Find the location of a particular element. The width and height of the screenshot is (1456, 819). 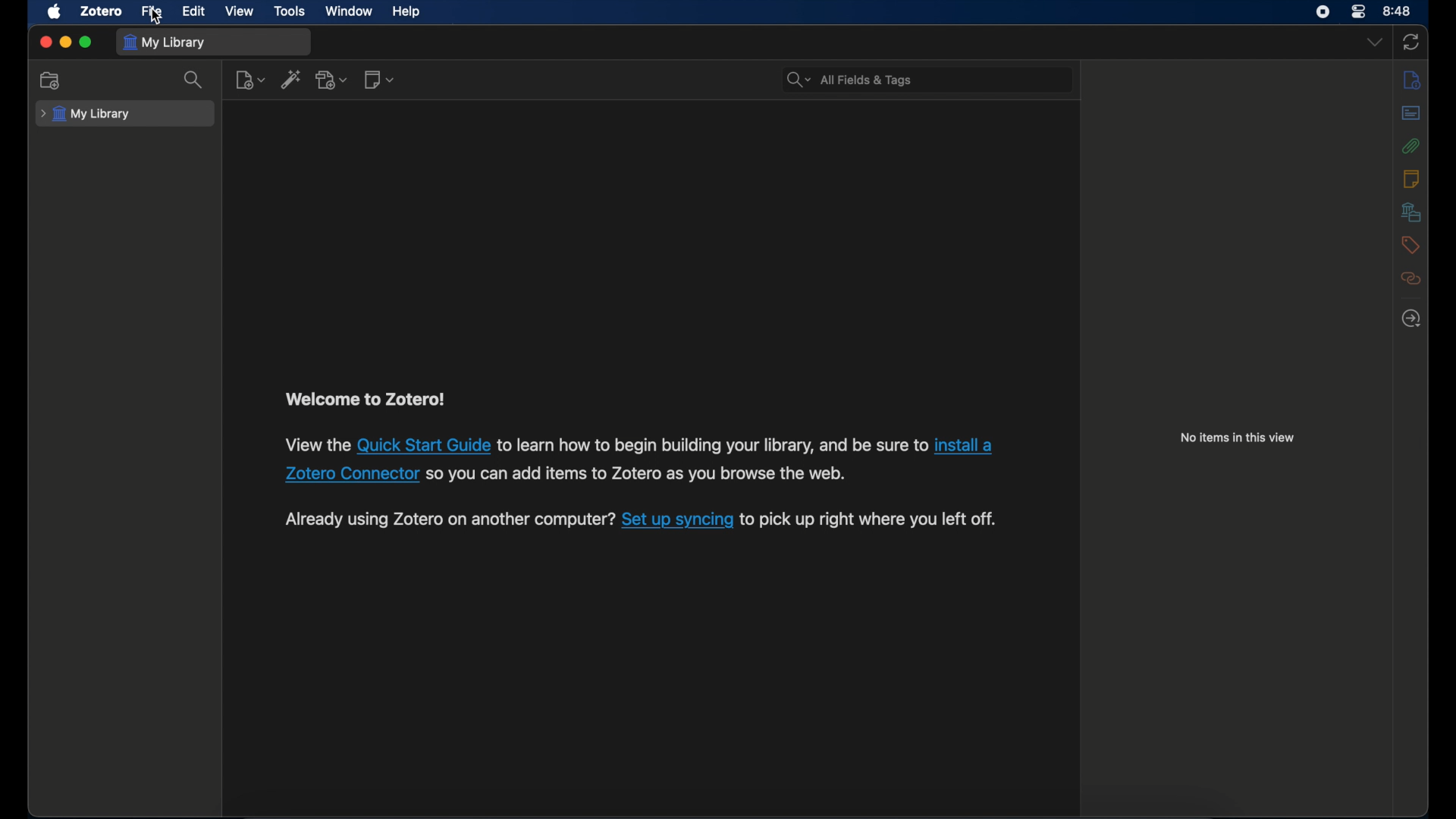

search bar input is located at coordinates (946, 79).